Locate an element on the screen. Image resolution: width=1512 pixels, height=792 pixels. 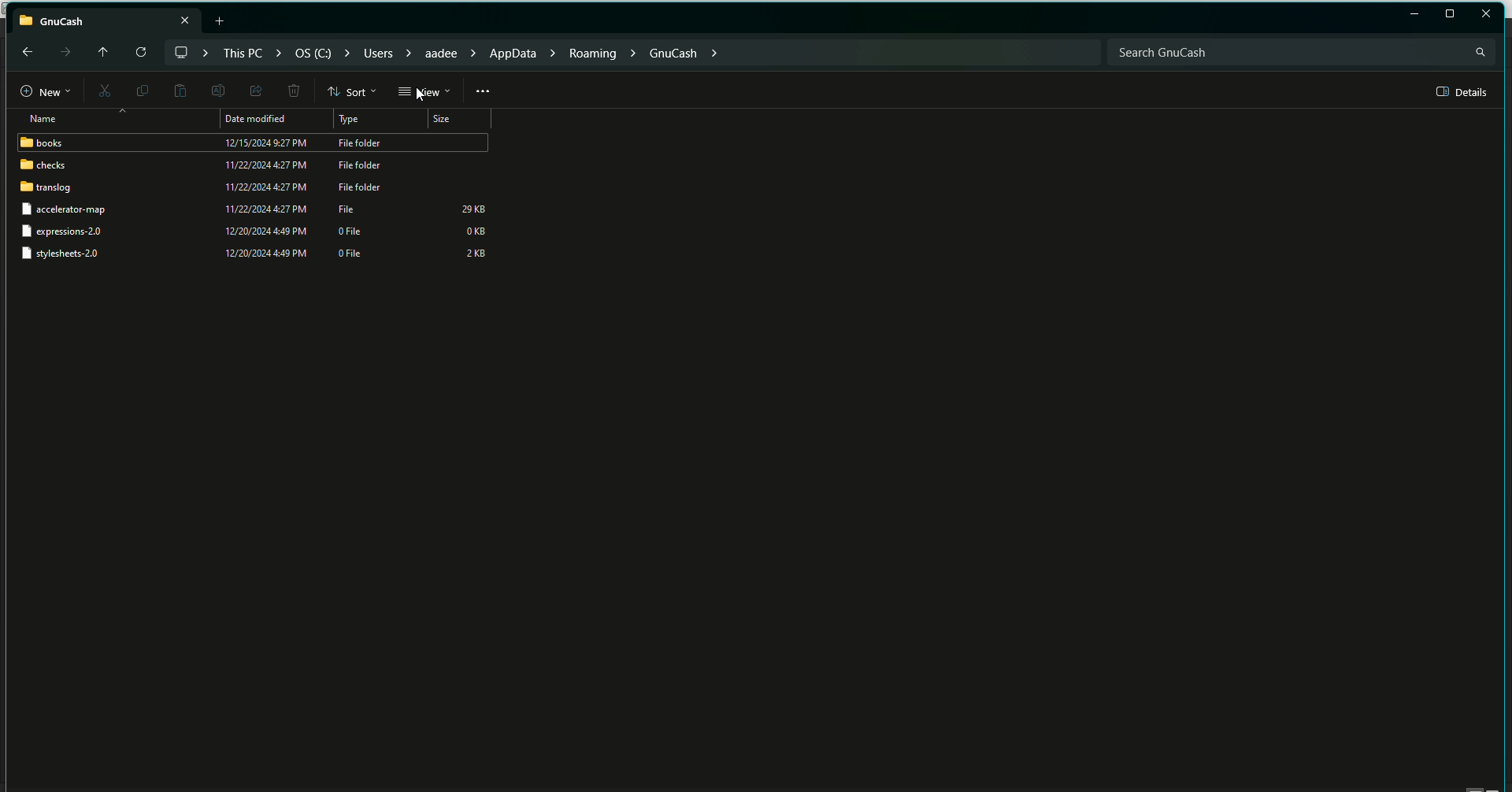
Paste is located at coordinates (180, 91).